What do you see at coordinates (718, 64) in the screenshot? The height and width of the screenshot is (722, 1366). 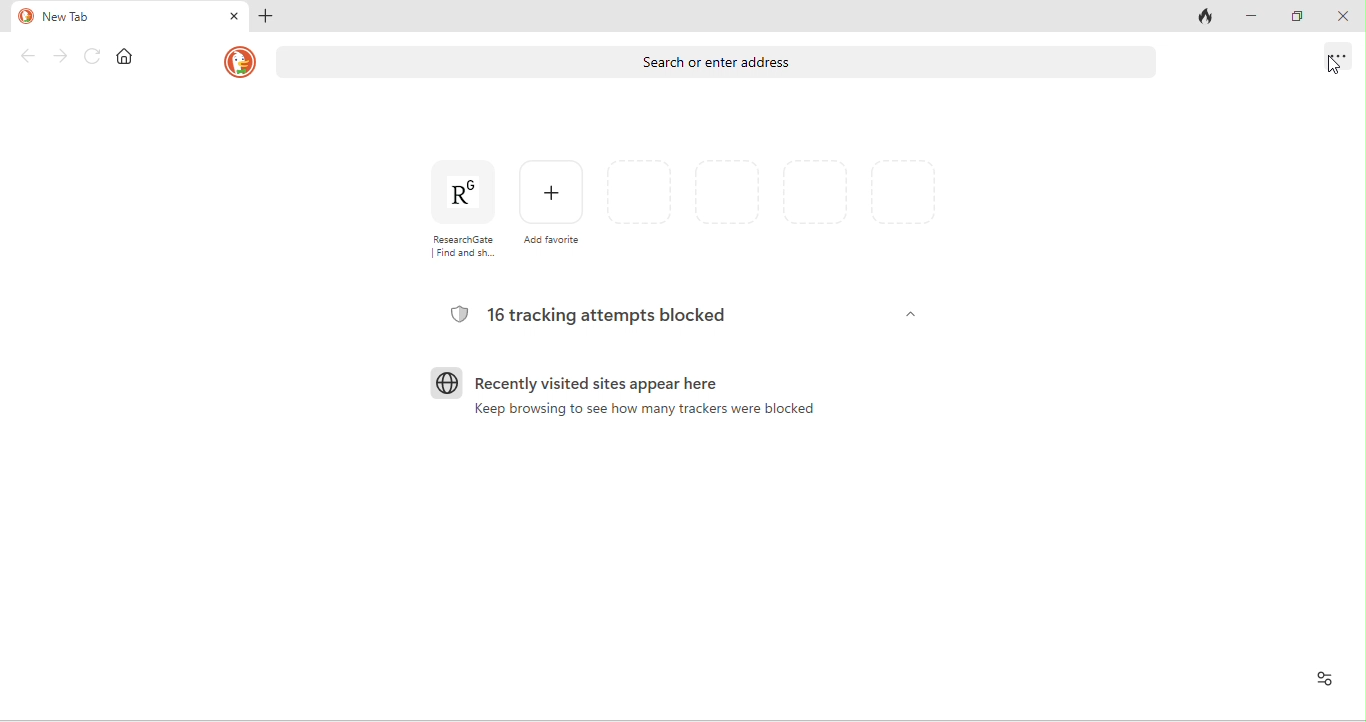 I see `search bar` at bounding box center [718, 64].